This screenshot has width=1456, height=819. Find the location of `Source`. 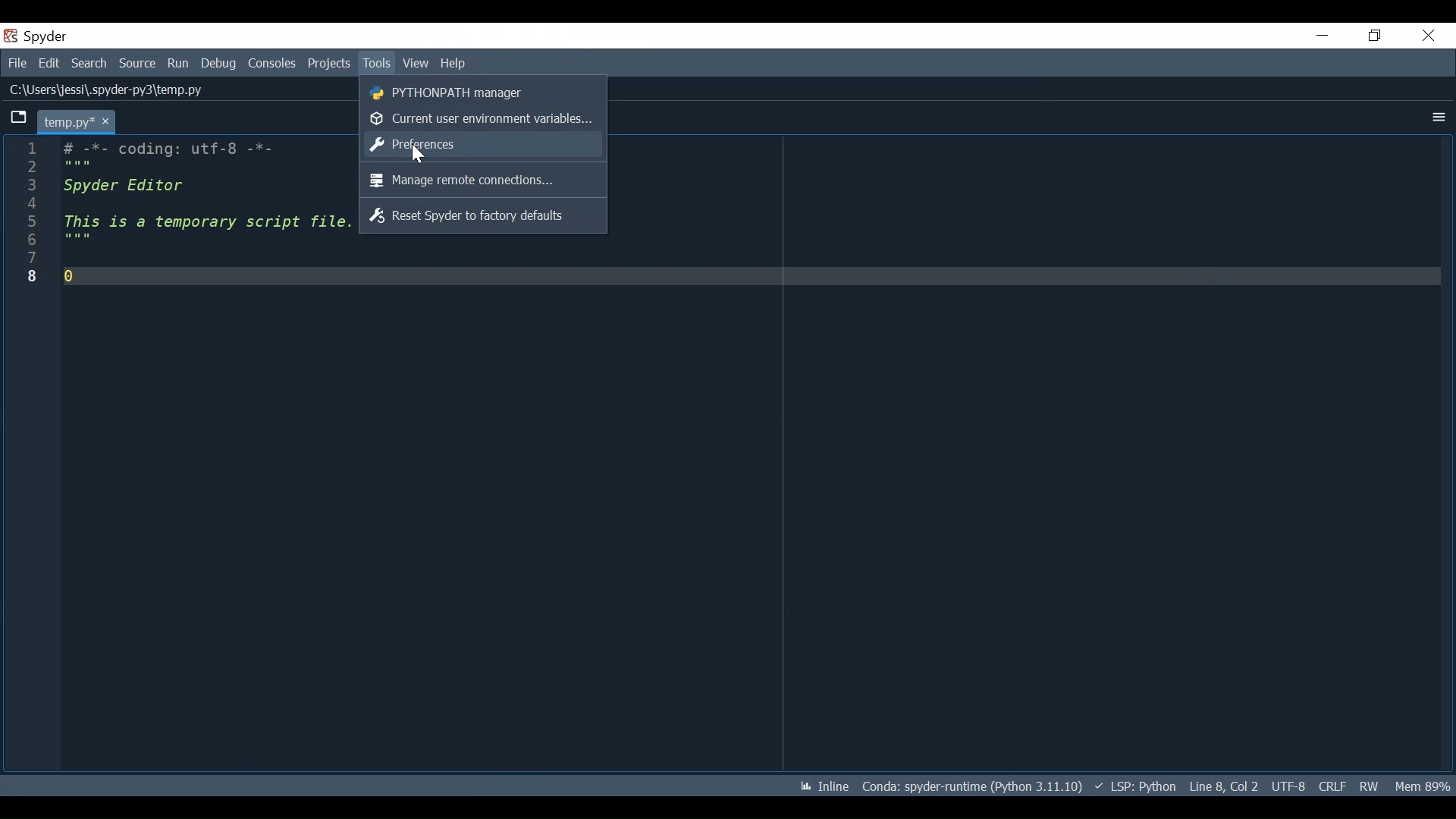

Source is located at coordinates (137, 63).